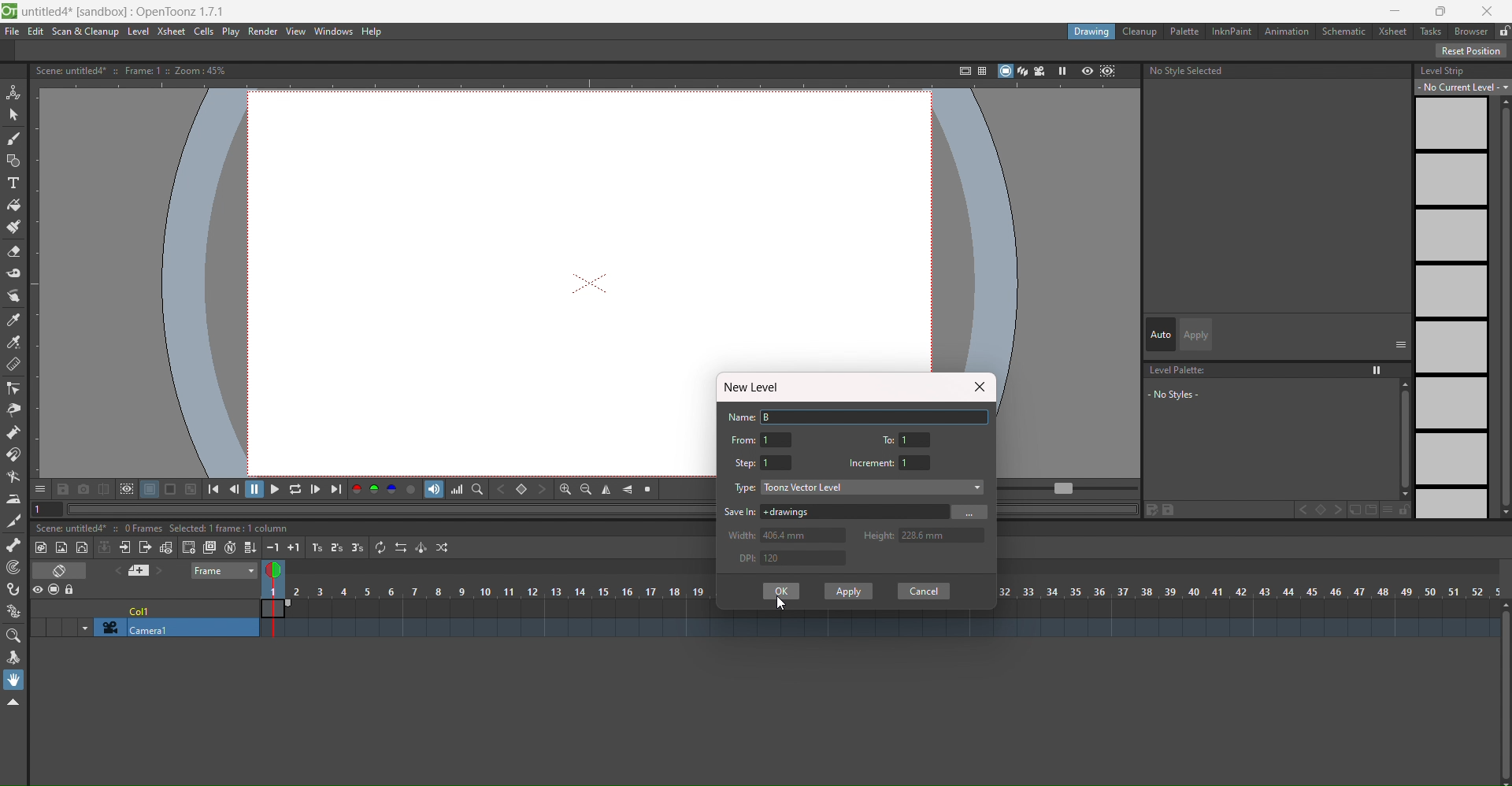 The image size is (1512, 786). Describe the element at coordinates (43, 547) in the screenshot. I see `new toonz raster level` at that location.